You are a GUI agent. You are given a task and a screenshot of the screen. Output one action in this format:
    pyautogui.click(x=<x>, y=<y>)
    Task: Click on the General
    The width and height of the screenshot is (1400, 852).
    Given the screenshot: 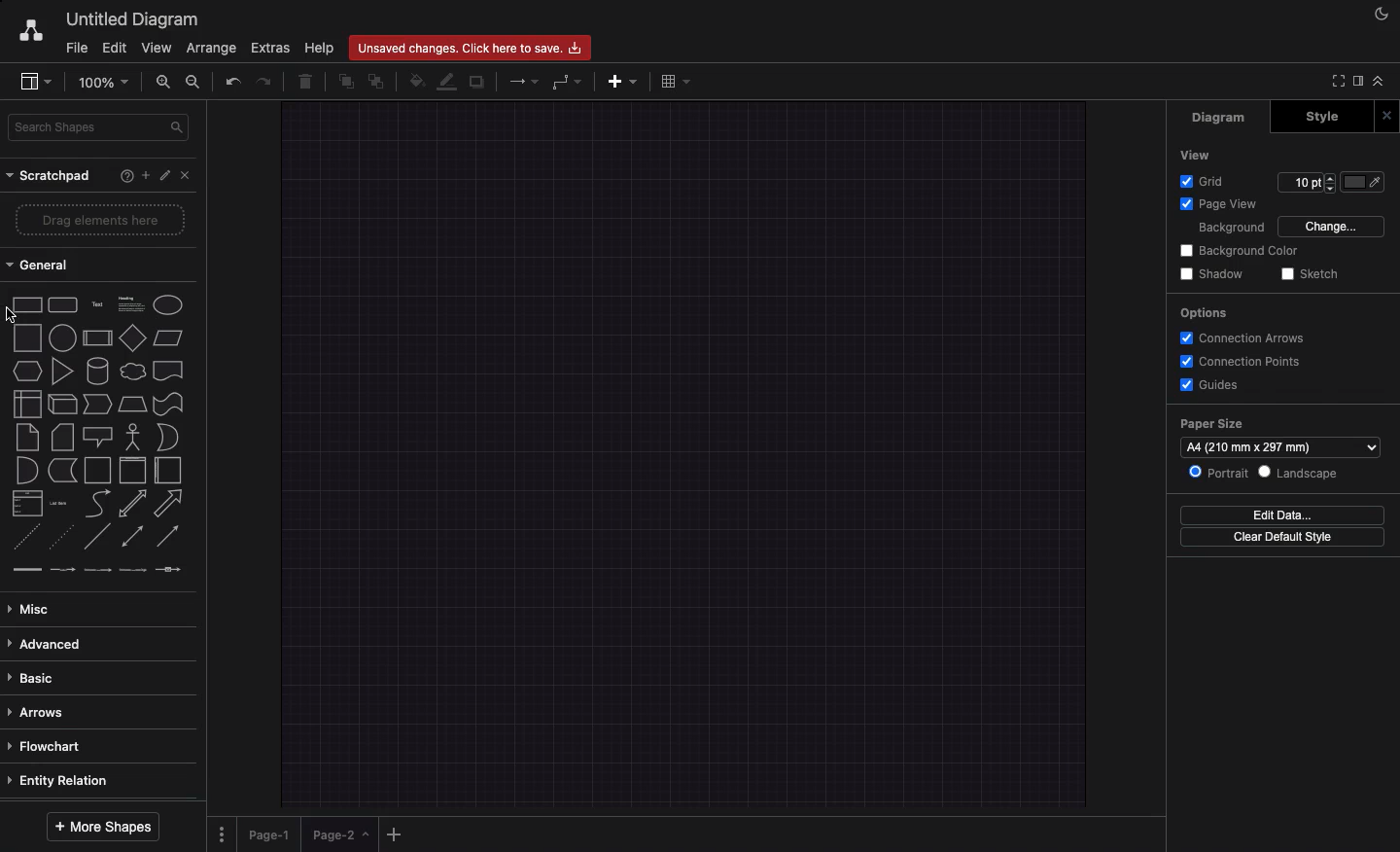 What is the action you would take?
    pyautogui.click(x=40, y=267)
    